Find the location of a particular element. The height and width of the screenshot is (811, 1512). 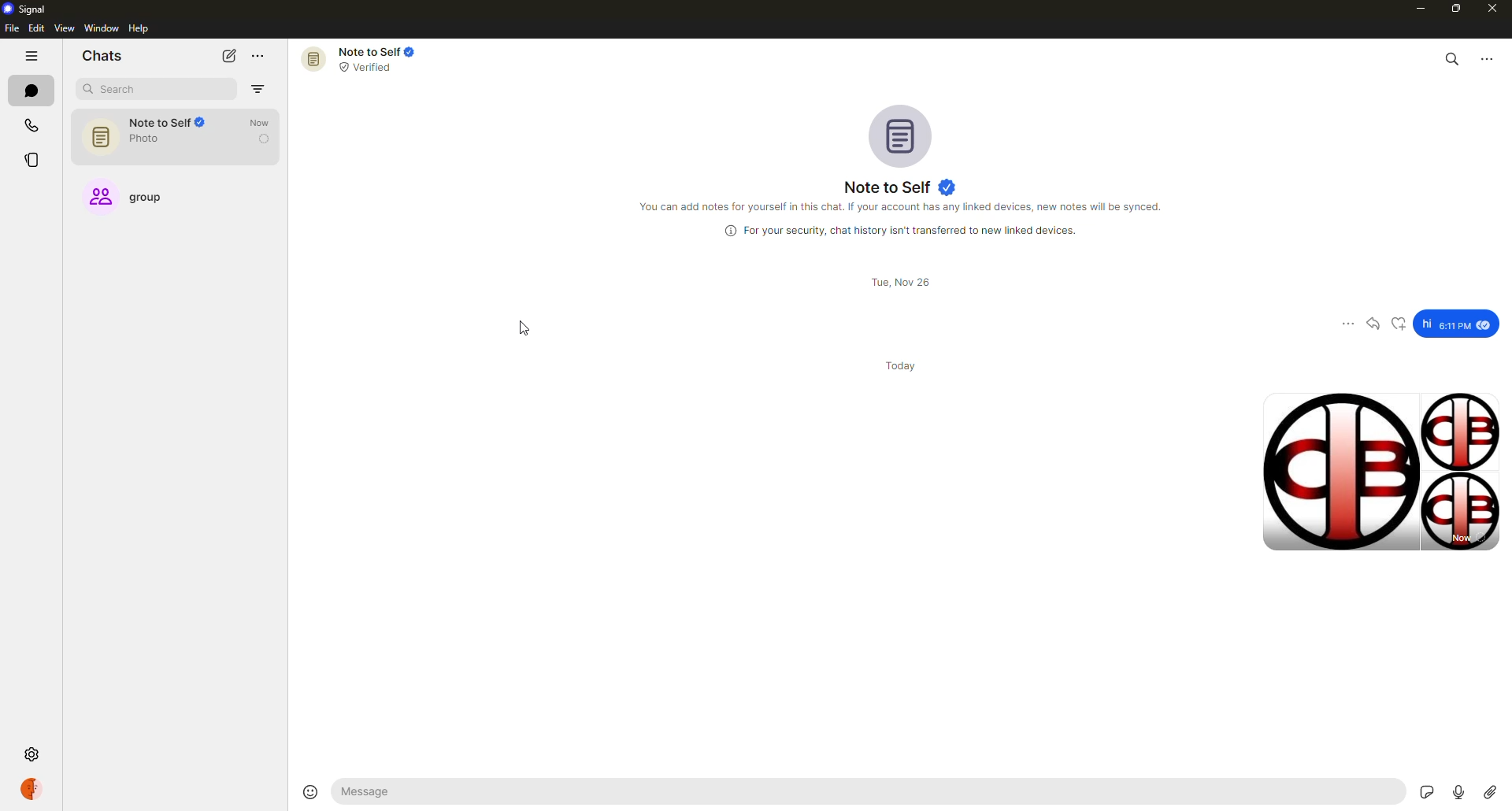

help is located at coordinates (139, 28).